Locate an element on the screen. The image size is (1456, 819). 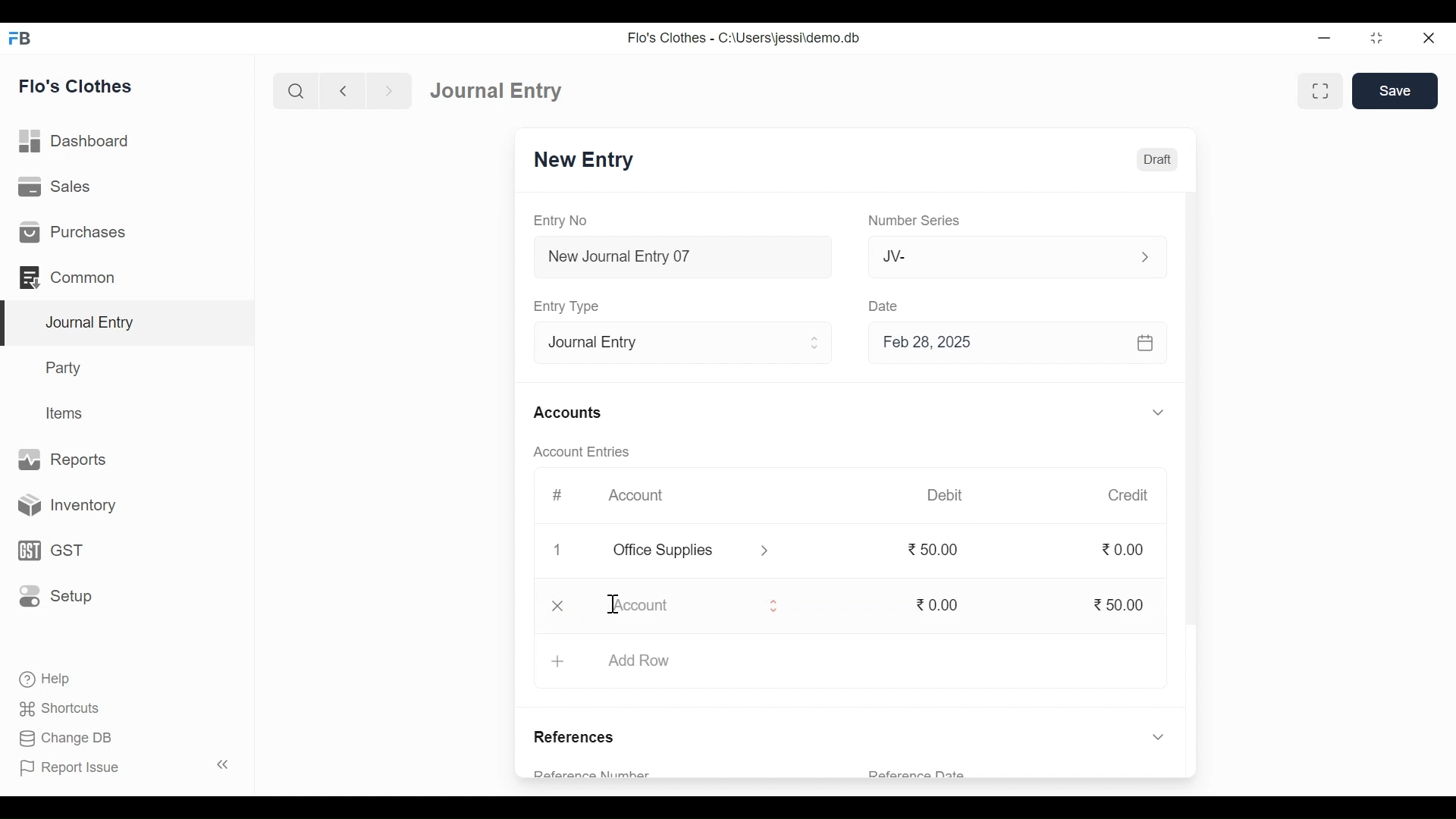
Close is located at coordinates (1429, 39).